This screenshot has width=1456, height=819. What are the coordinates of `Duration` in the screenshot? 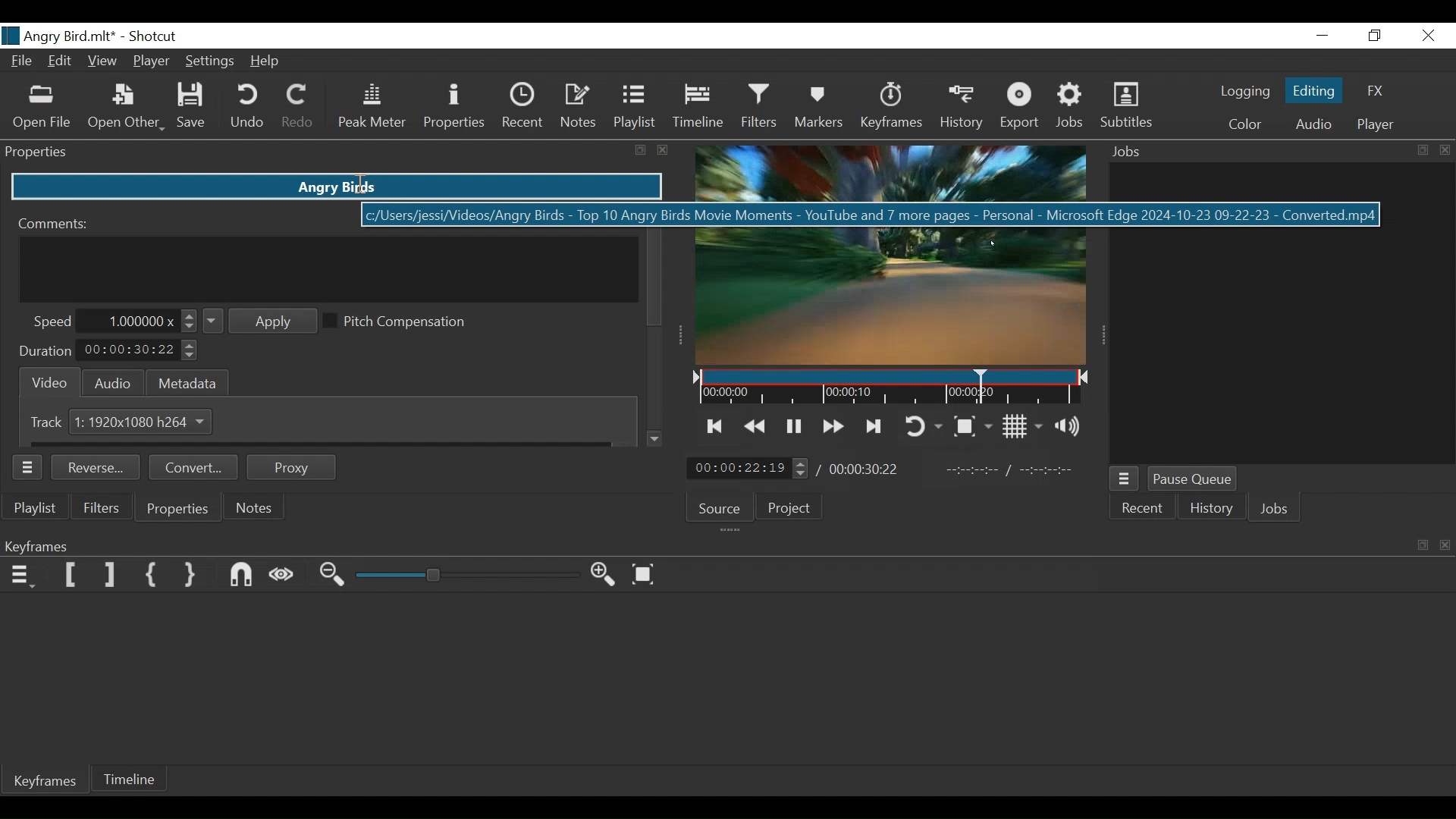 It's located at (45, 351).